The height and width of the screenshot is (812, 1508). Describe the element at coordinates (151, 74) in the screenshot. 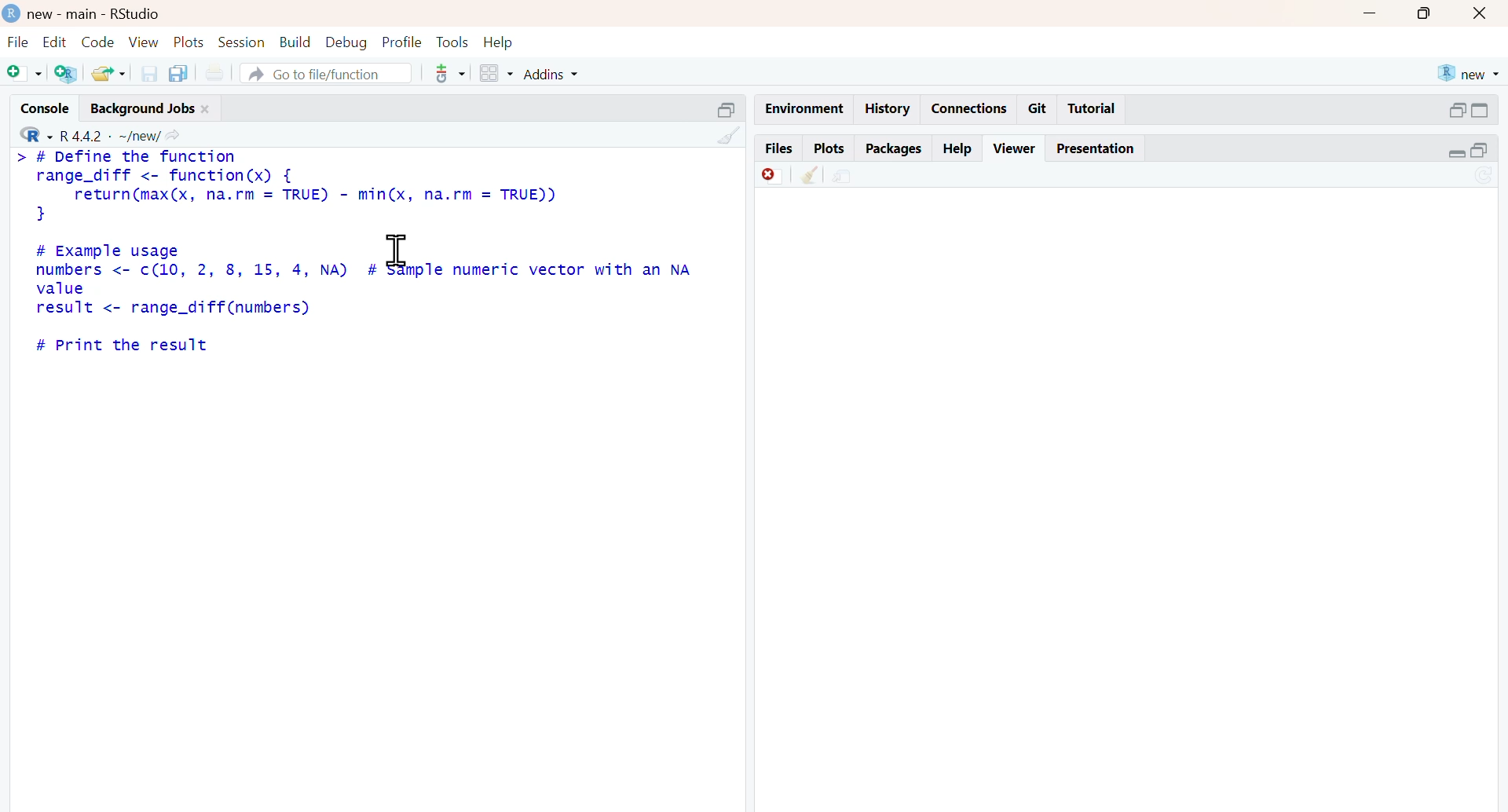

I see `save` at that location.